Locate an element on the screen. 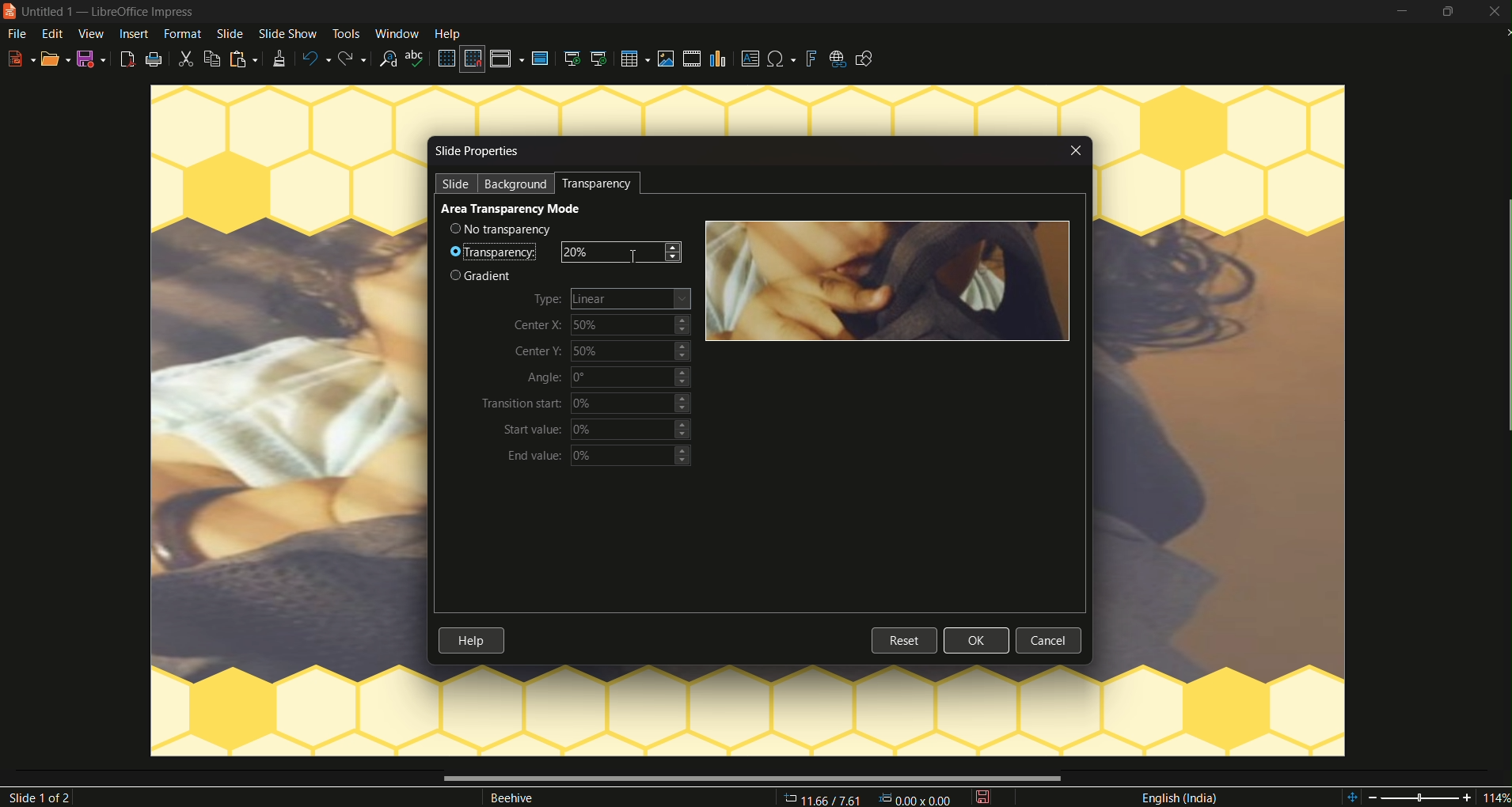 This screenshot has width=1512, height=807. show draw functions is located at coordinates (866, 59).